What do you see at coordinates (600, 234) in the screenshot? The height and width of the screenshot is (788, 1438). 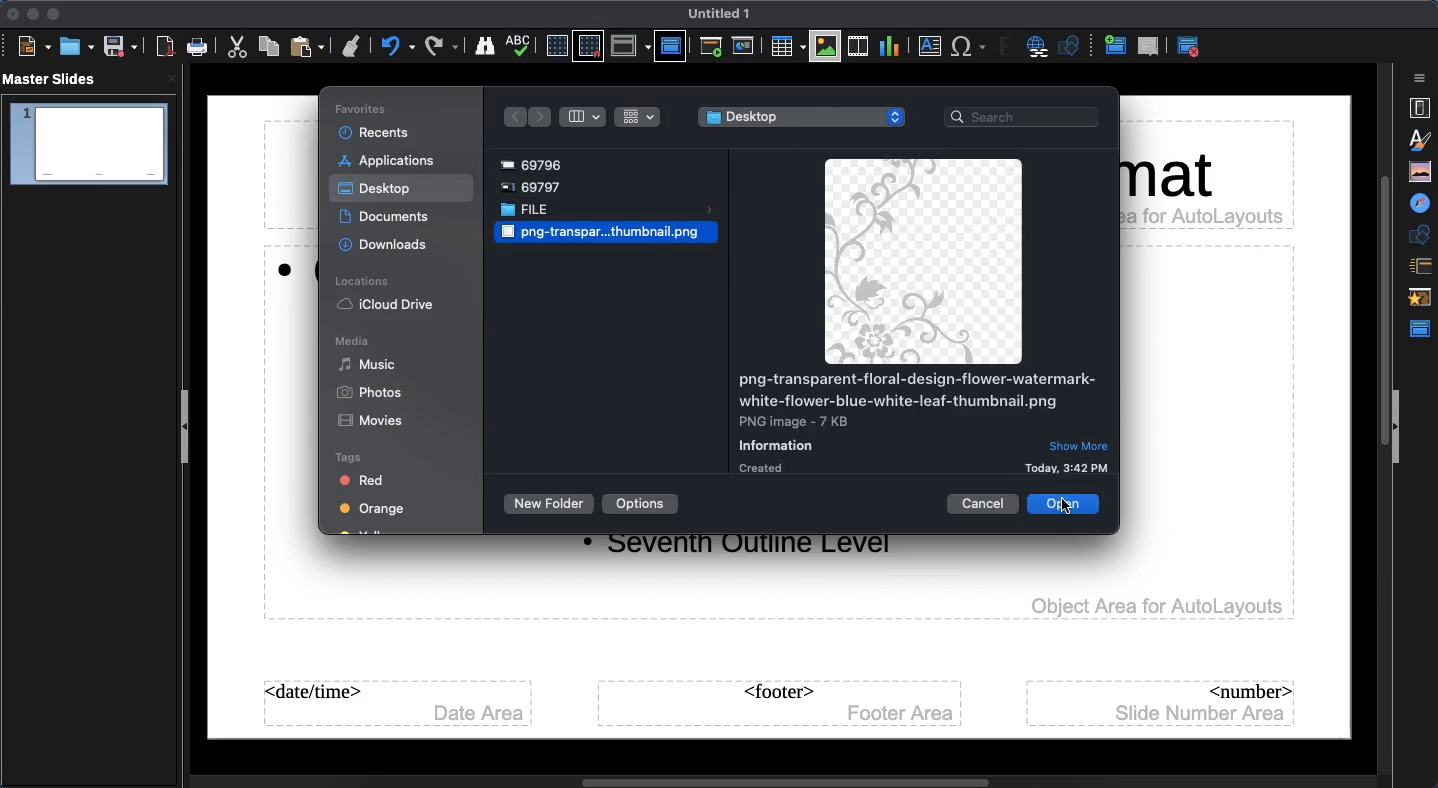 I see `Image` at bounding box center [600, 234].